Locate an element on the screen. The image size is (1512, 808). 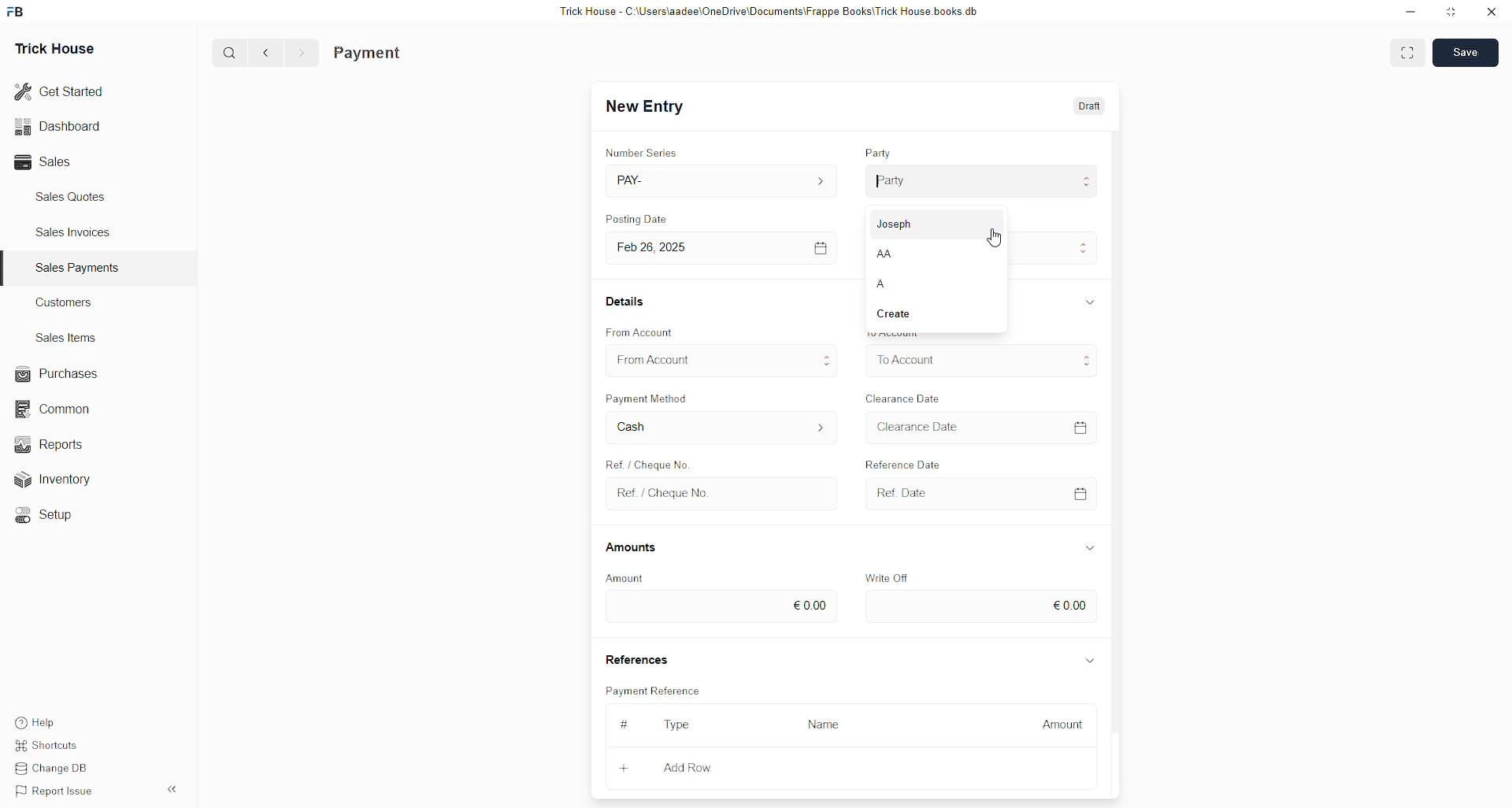
Number Series is located at coordinates (642, 152).